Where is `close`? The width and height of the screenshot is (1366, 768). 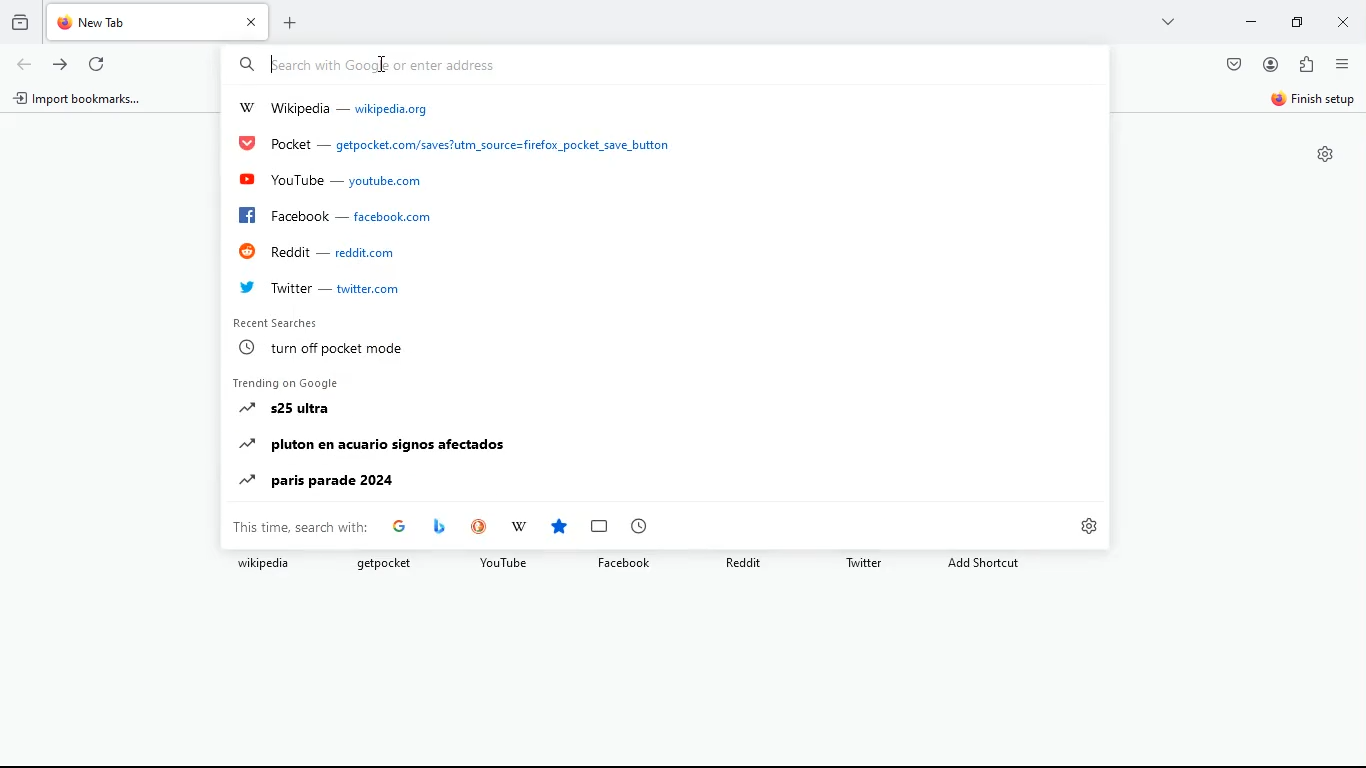 close is located at coordinates (1343, 24).